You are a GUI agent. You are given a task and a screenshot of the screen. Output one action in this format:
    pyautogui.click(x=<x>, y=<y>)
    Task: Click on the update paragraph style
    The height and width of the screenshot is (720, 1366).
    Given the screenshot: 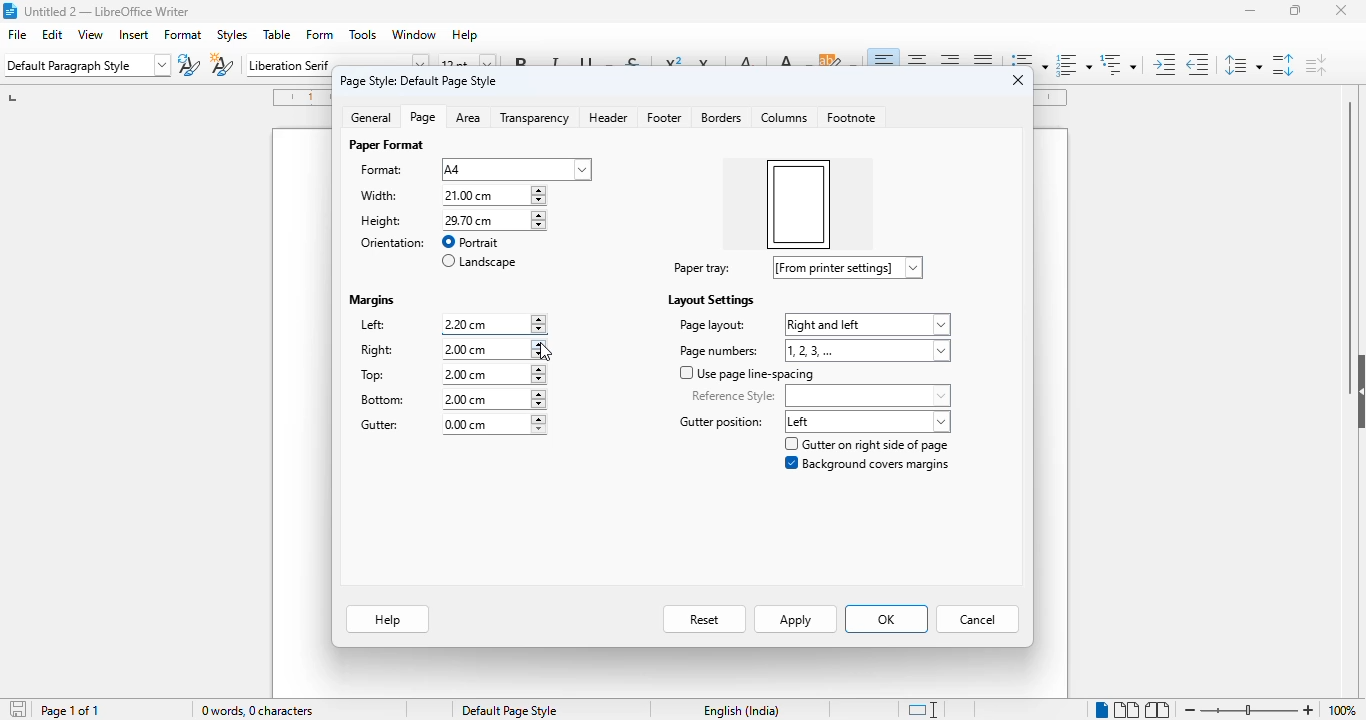 What is the action you would take?
    pyautogui.click(x=188, y=67)
    